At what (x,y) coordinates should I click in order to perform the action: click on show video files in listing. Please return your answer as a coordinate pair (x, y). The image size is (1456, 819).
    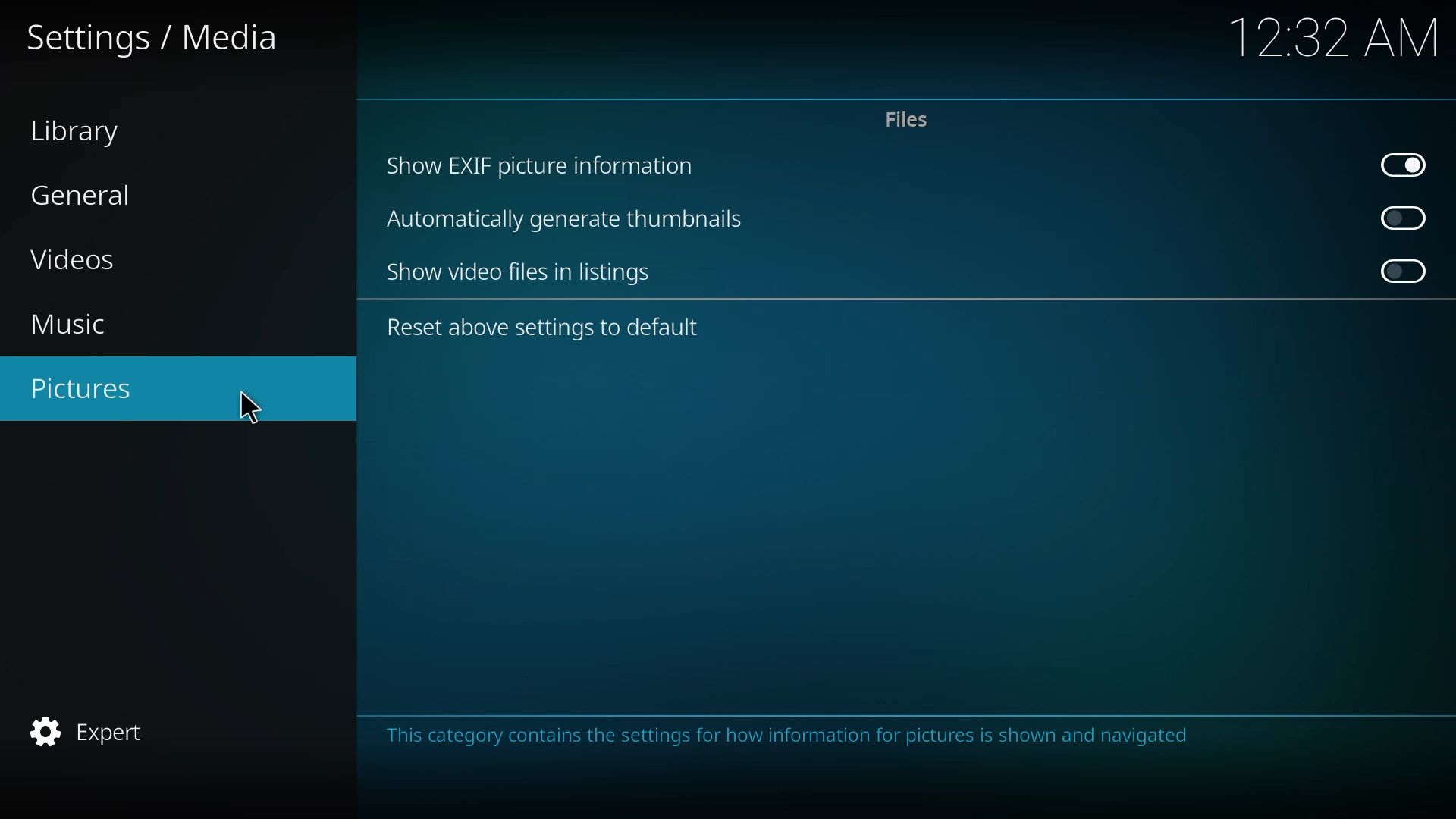
    Looking at the image, I should click on (523, 271).